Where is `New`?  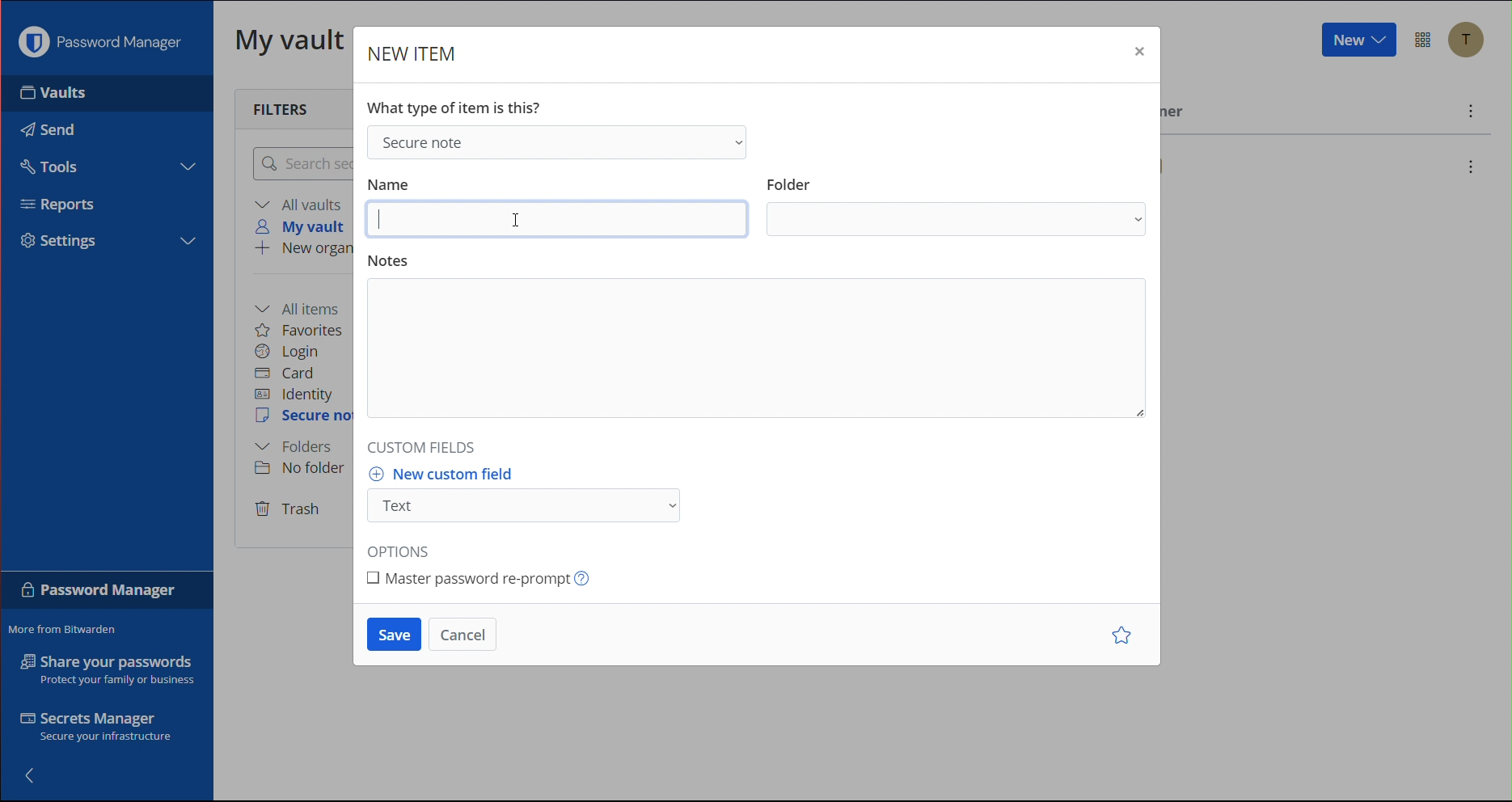 New is located at coordinates (1357, 40).